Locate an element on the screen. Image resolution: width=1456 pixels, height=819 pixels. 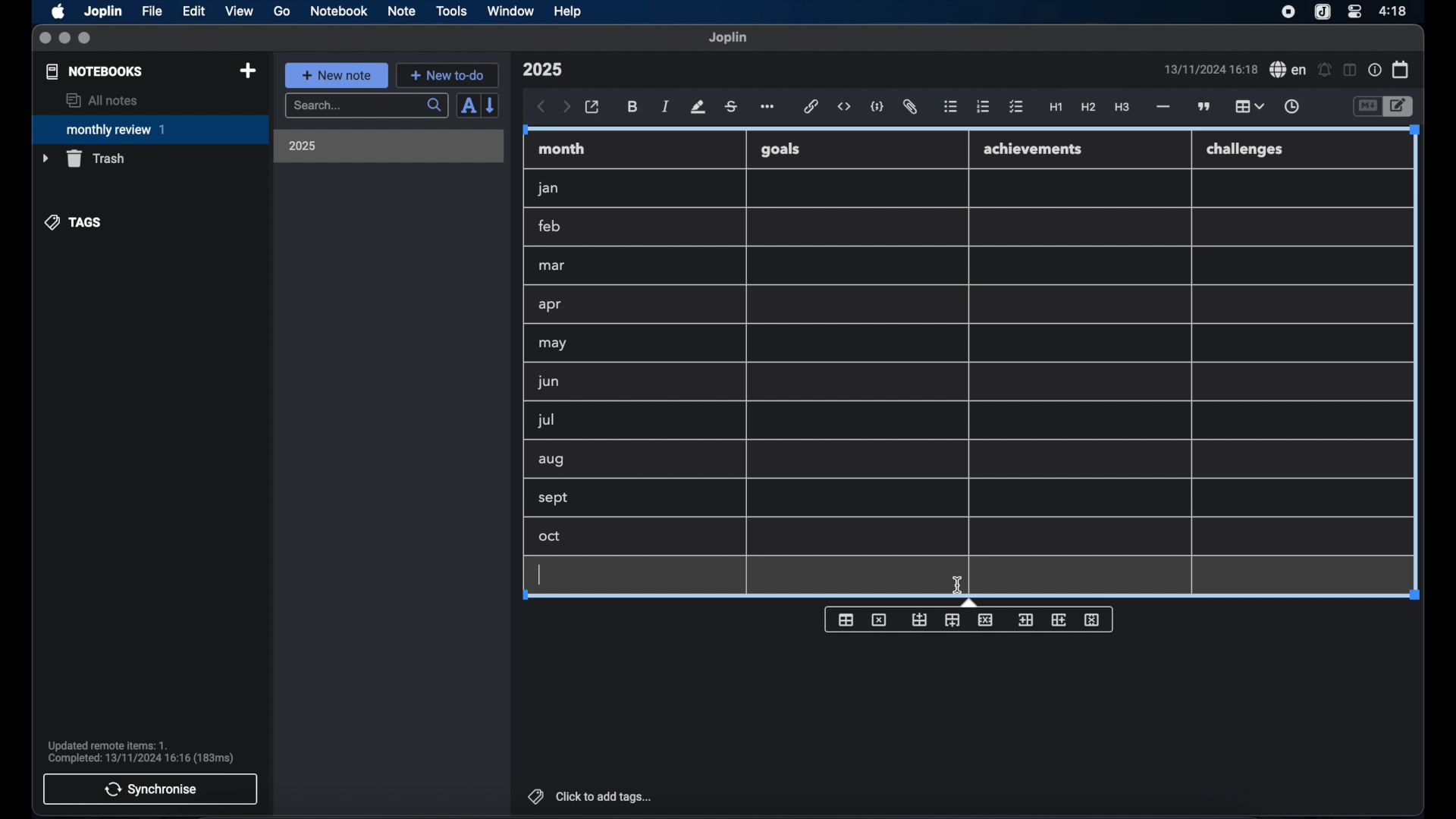
horizontal rule is located at coordinates (1162, 107).